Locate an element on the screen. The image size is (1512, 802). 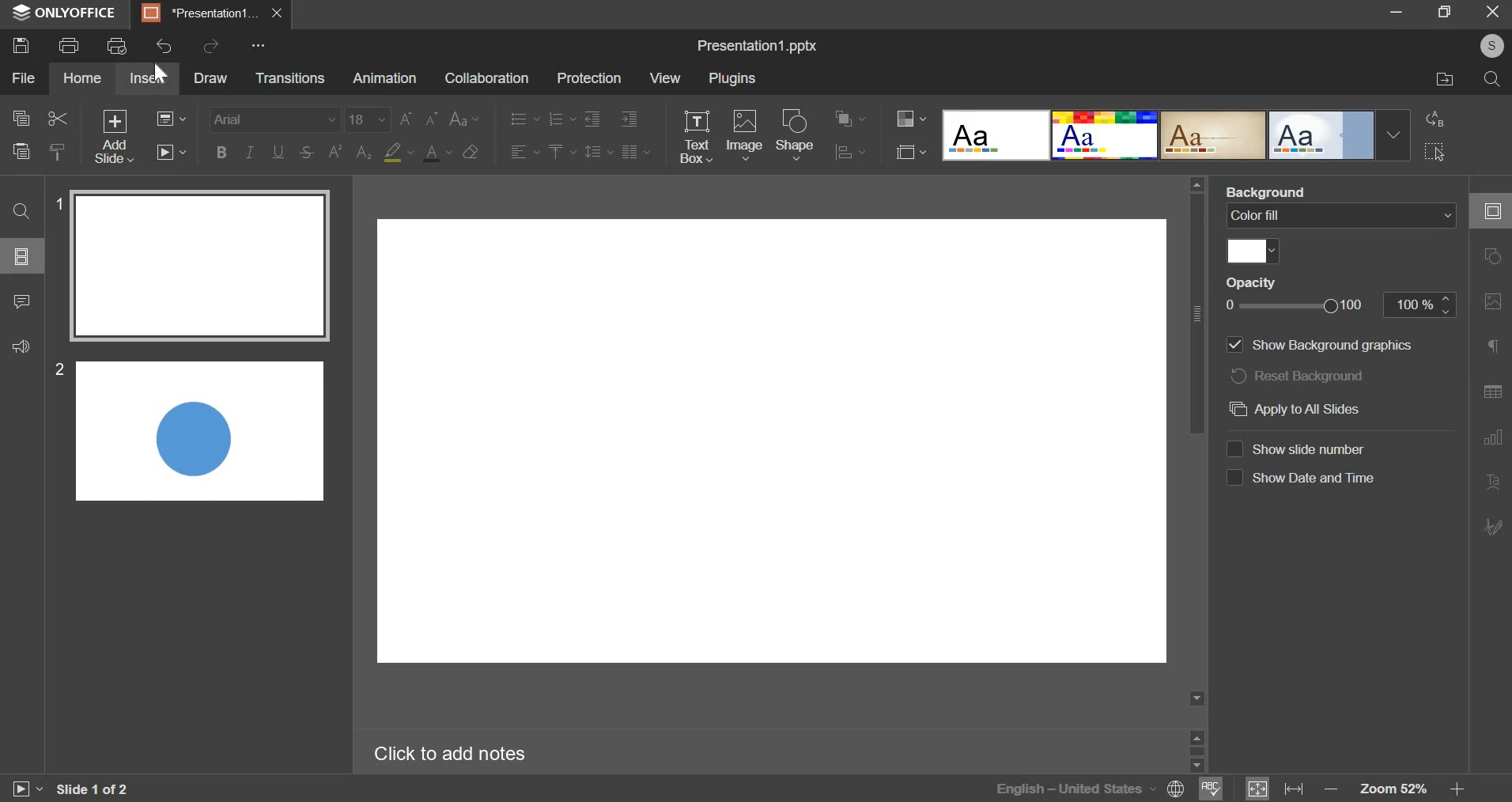
superscript is located at coordinates (335, 153).